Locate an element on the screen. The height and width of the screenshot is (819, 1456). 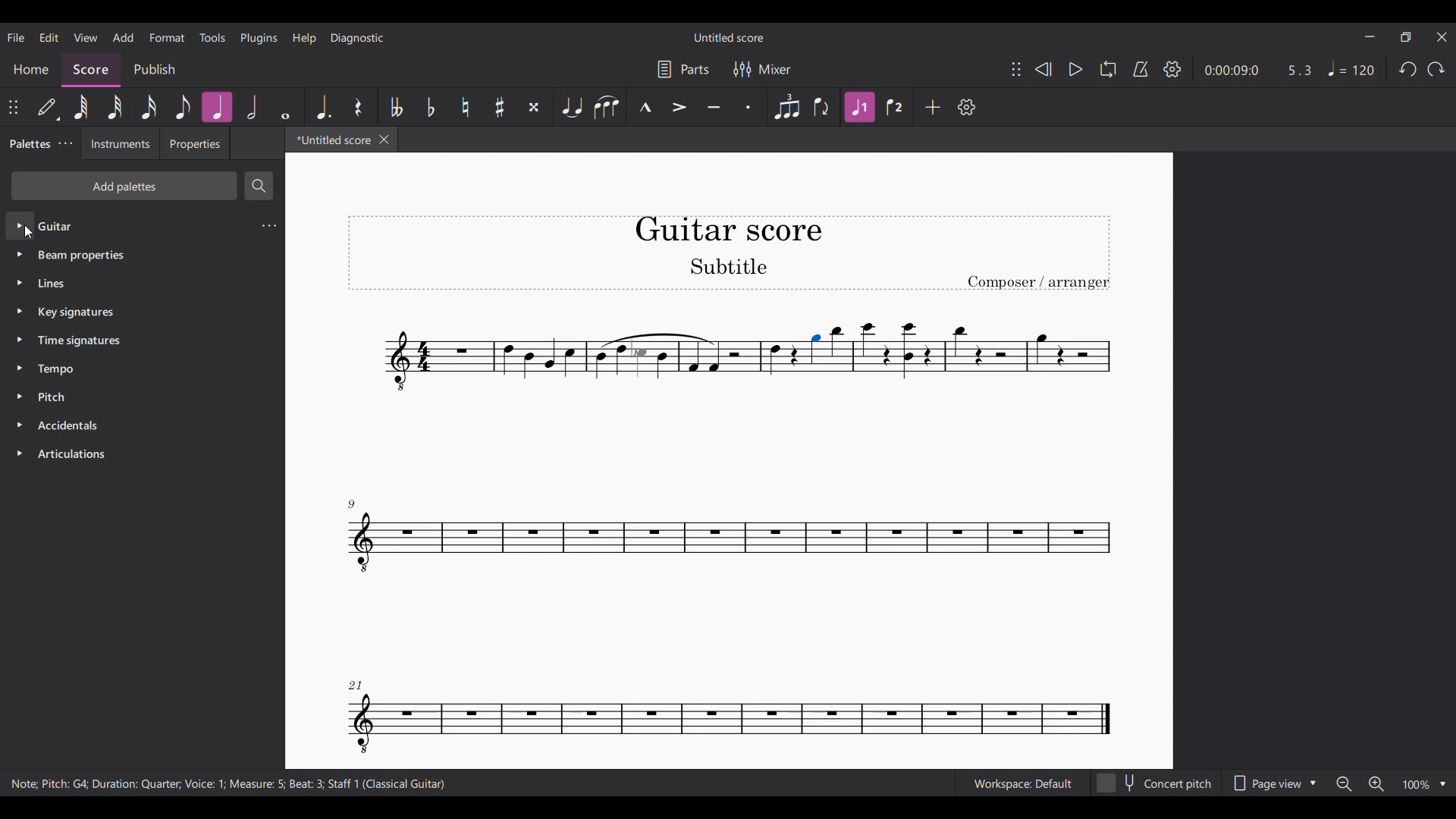
Click to expand time signatures palette is located at coordinates (20, 339).